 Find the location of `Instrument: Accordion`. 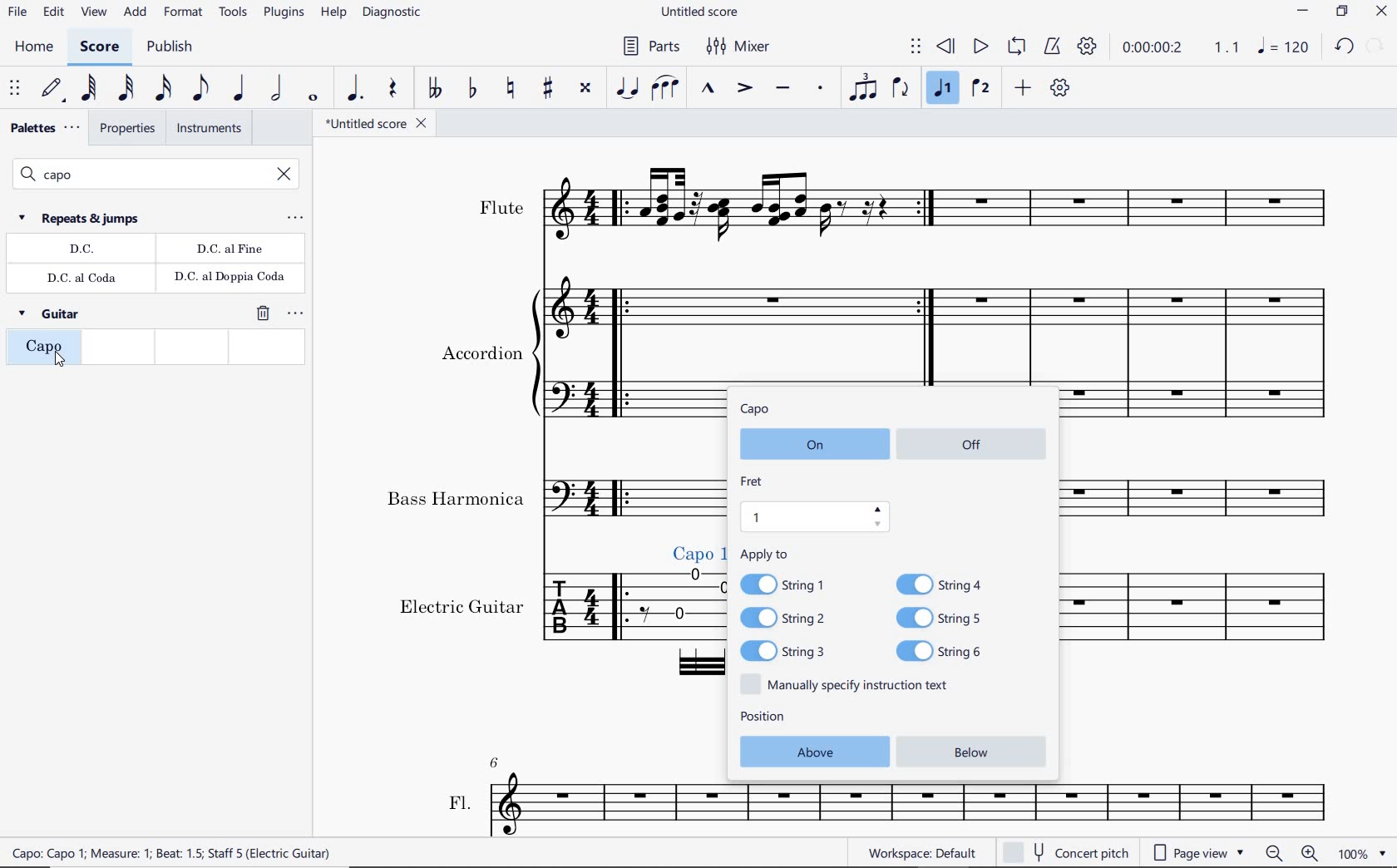

Instrument: Accordion is located at coordinates (1209, 354).